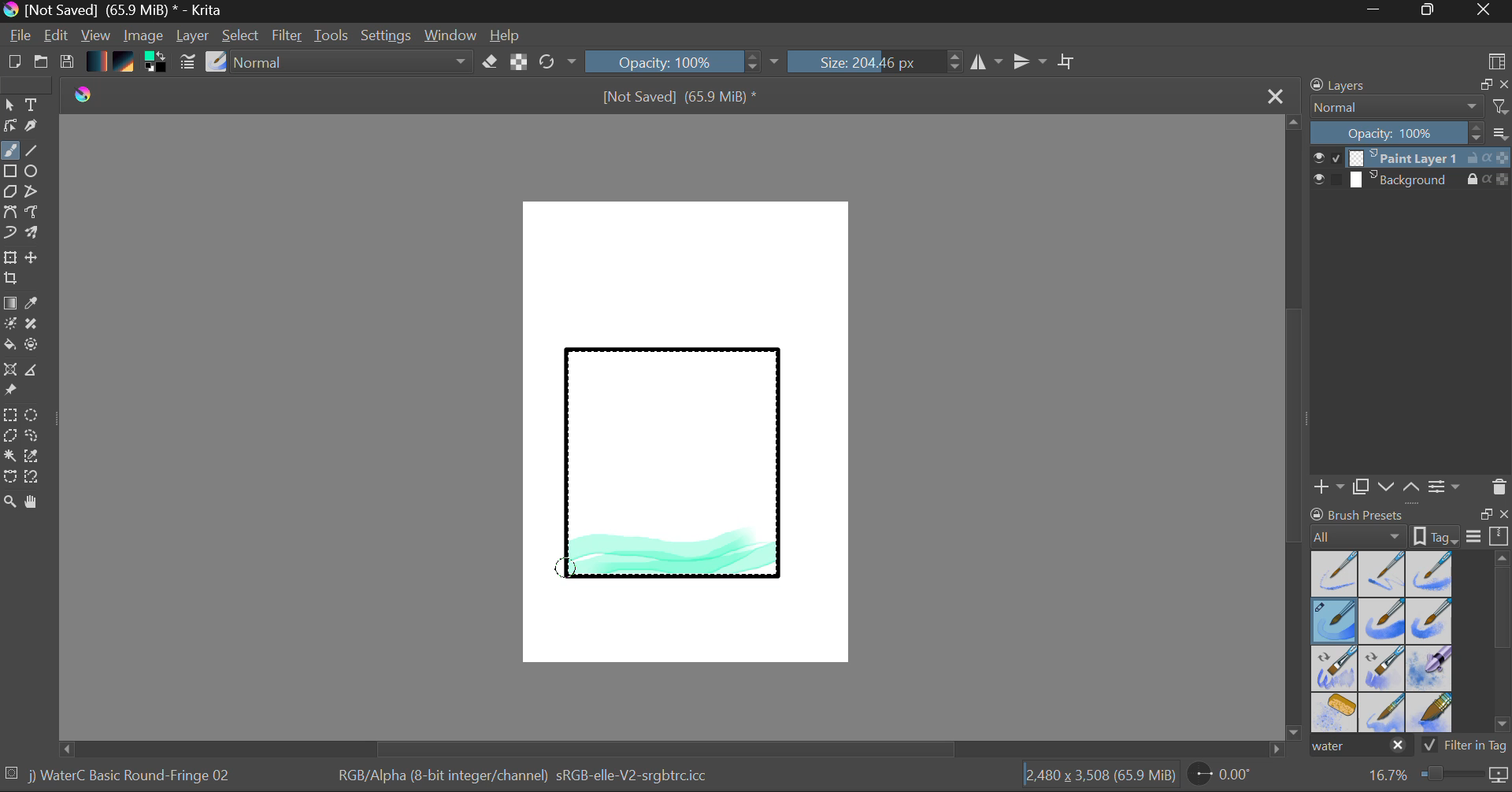  Describe the element at coordinates (9, 372) in the screenshot. I see `Smart Assistant` at that location.